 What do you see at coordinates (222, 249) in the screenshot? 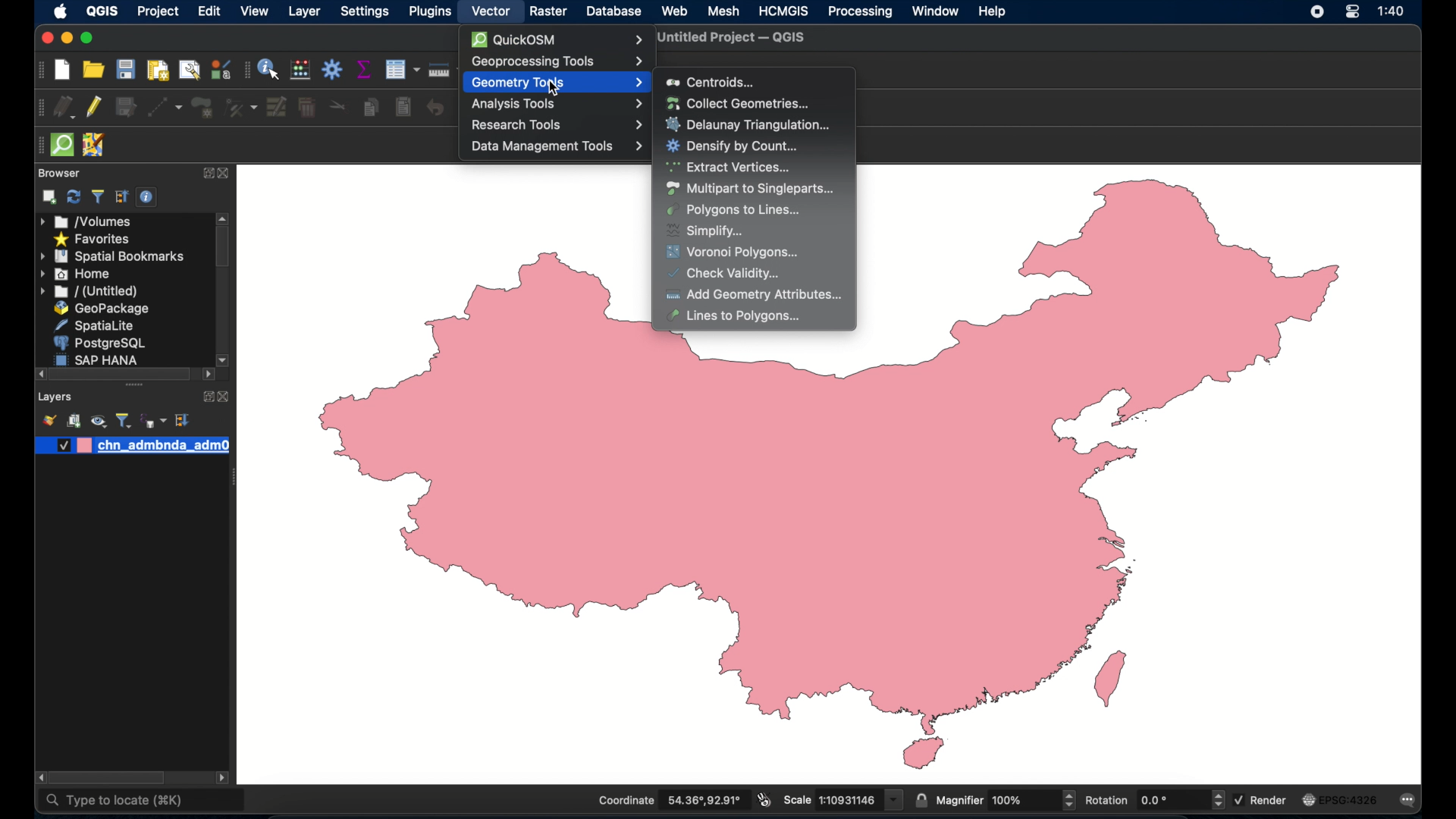
I see `scroll box` at bounding box center [222, 249].